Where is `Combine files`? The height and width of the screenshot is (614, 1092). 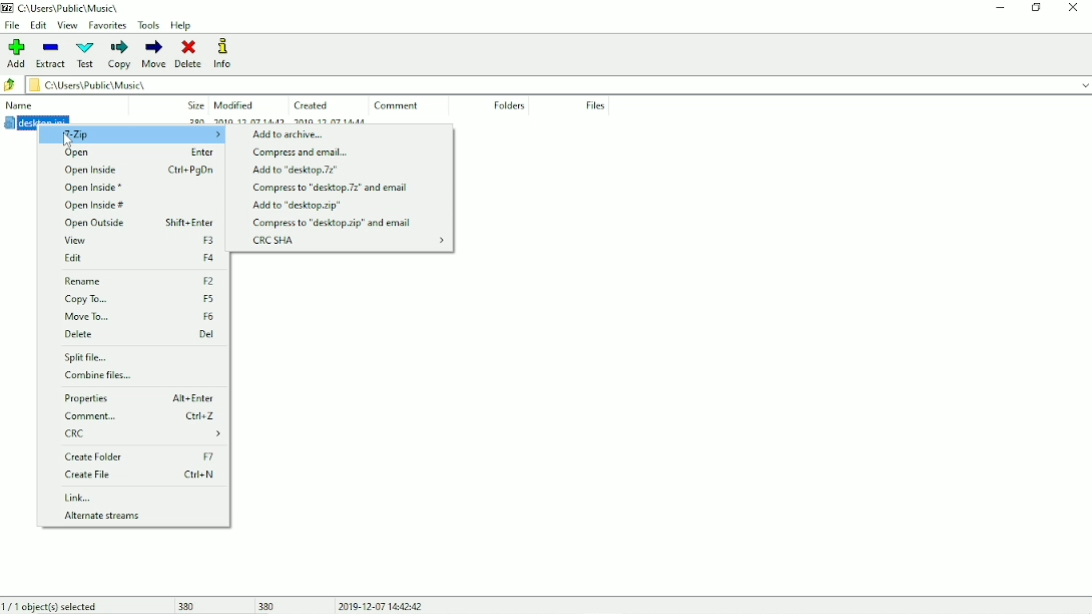 Combine files is located at coordinates (99, 375).